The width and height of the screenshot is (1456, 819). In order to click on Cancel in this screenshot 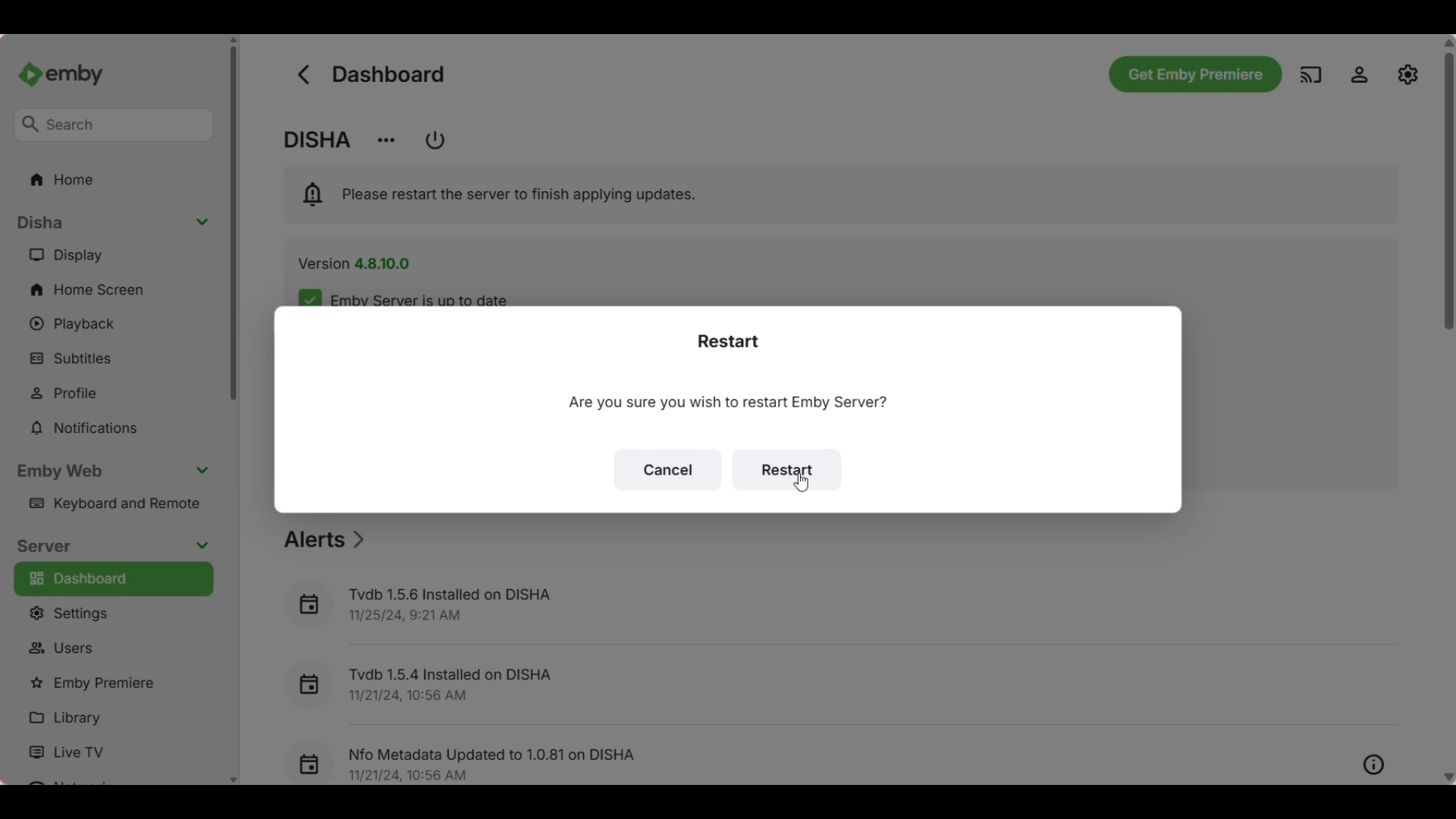, I will do `click(670, 469)`.